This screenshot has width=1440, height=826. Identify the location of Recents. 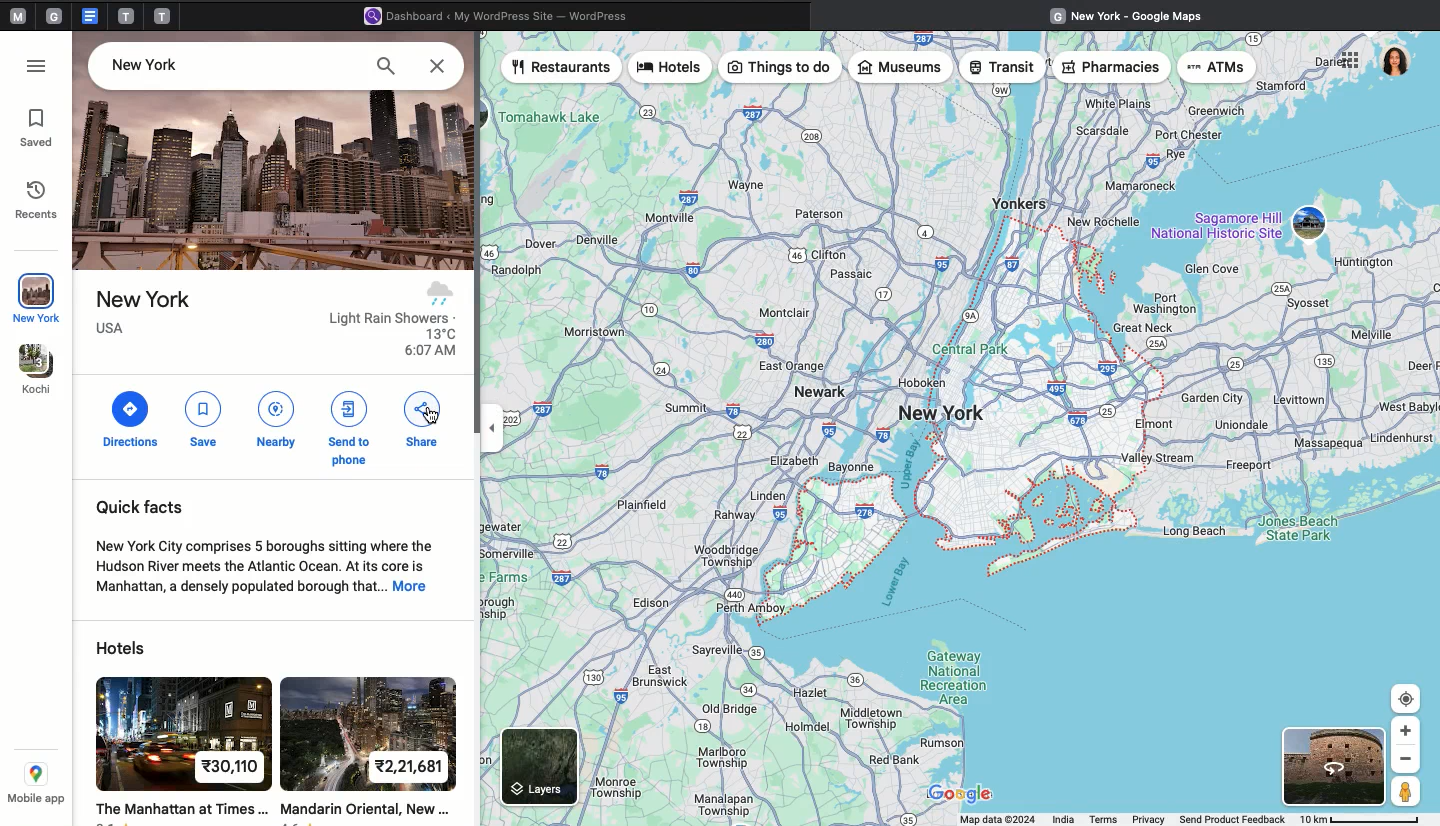
(39, 202).